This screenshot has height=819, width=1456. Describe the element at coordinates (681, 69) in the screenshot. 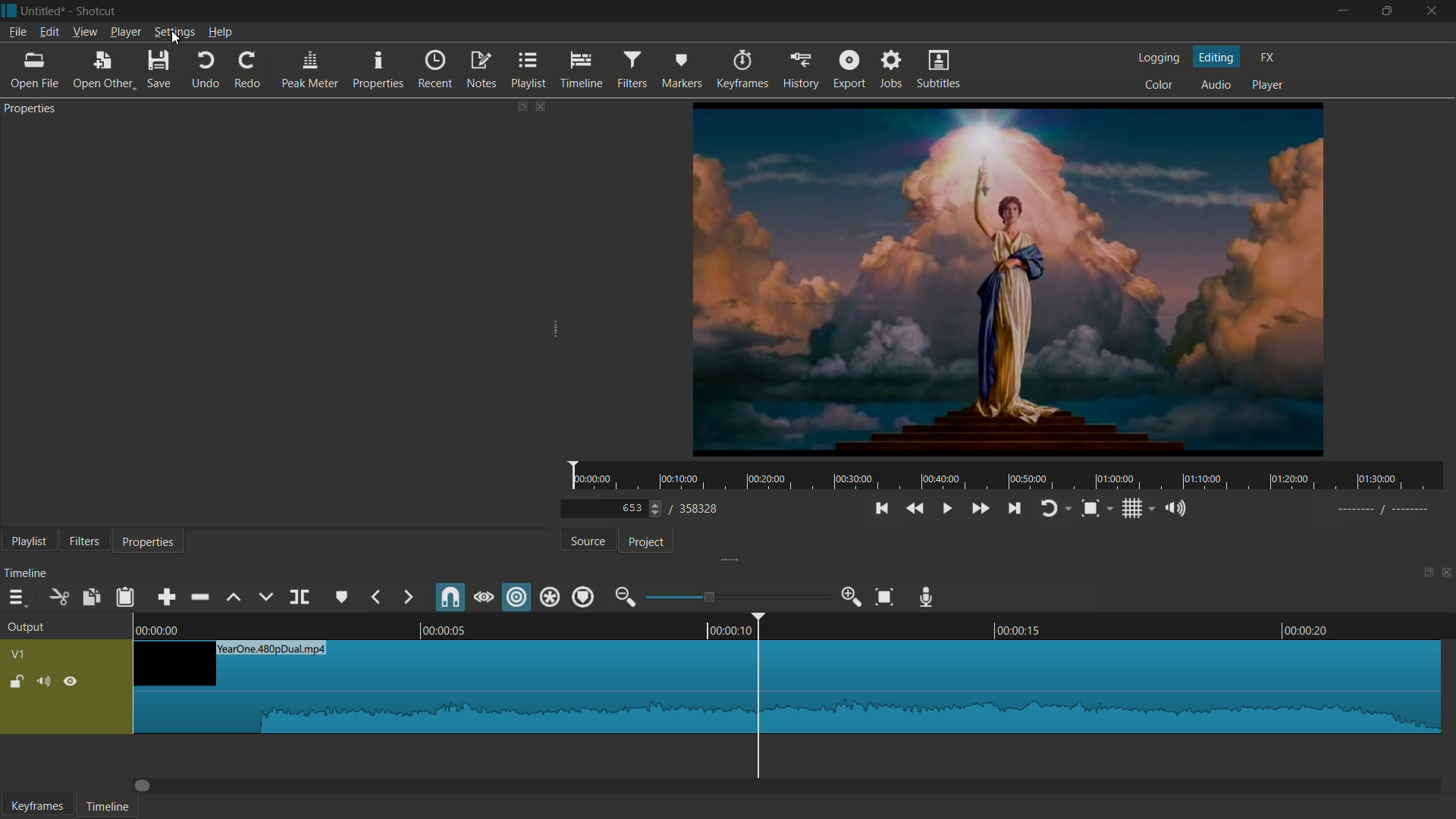

I see `markers` at that location.